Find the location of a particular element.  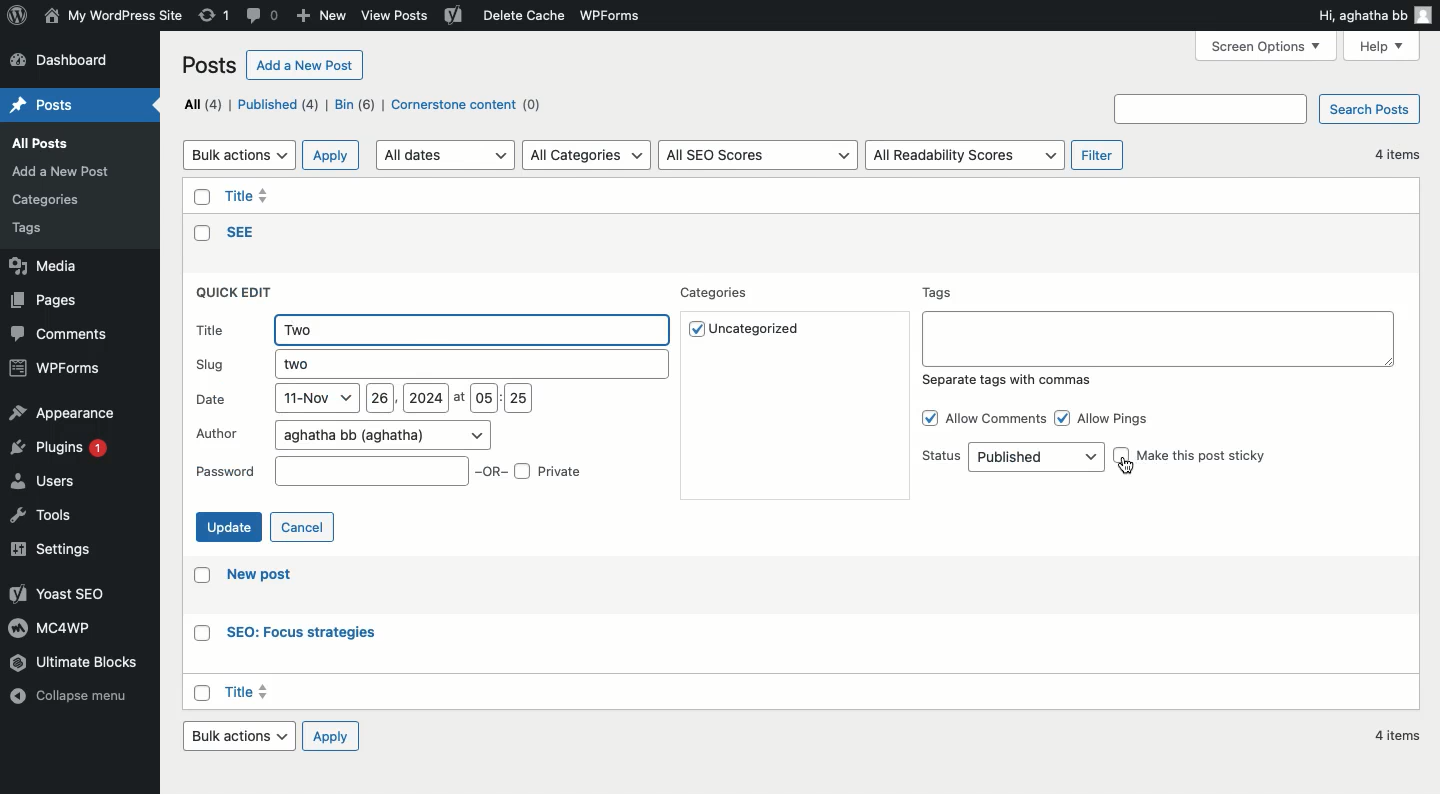

Users is located at coordinates (48, 484).